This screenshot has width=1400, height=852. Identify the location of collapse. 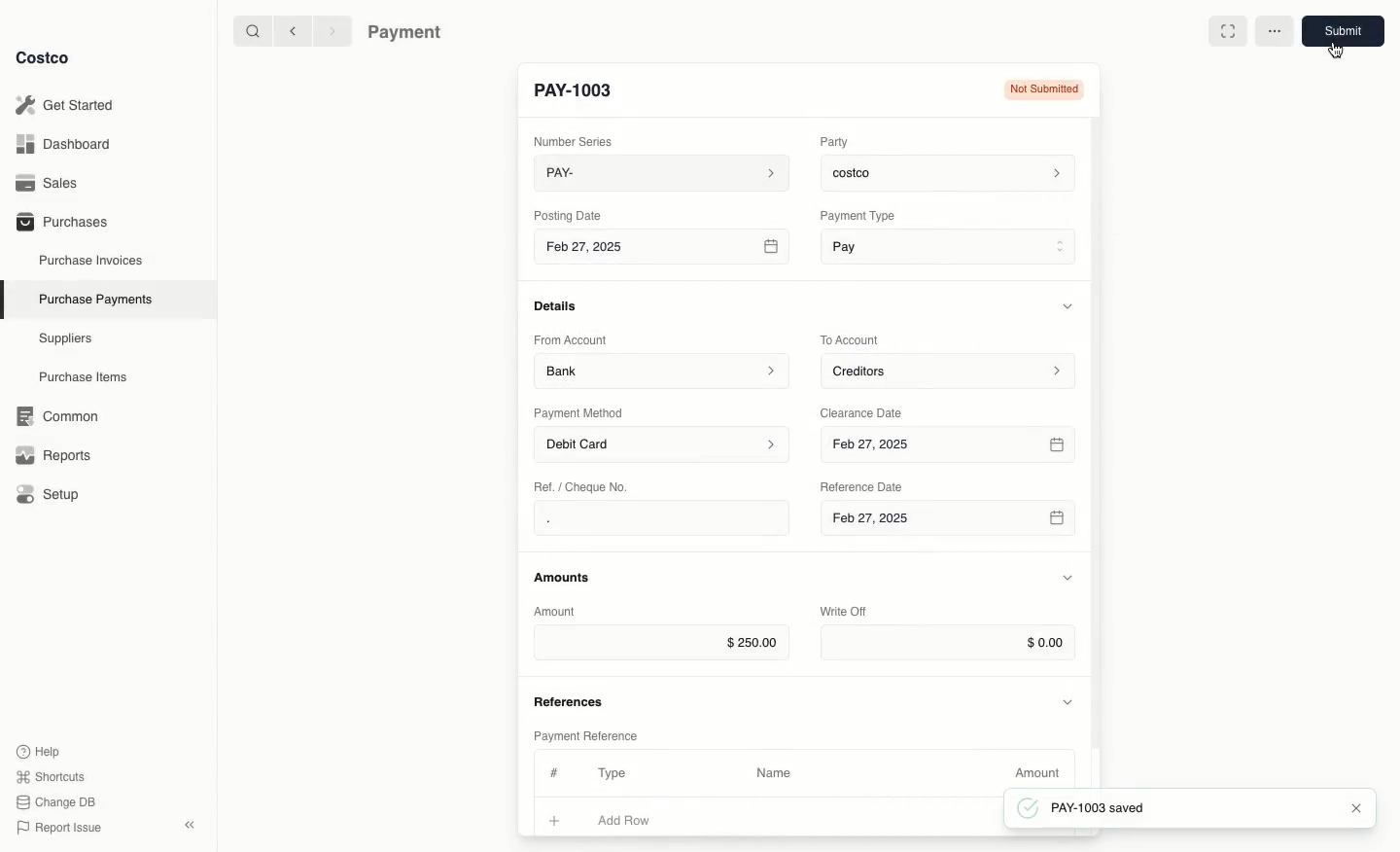
(189, 825).